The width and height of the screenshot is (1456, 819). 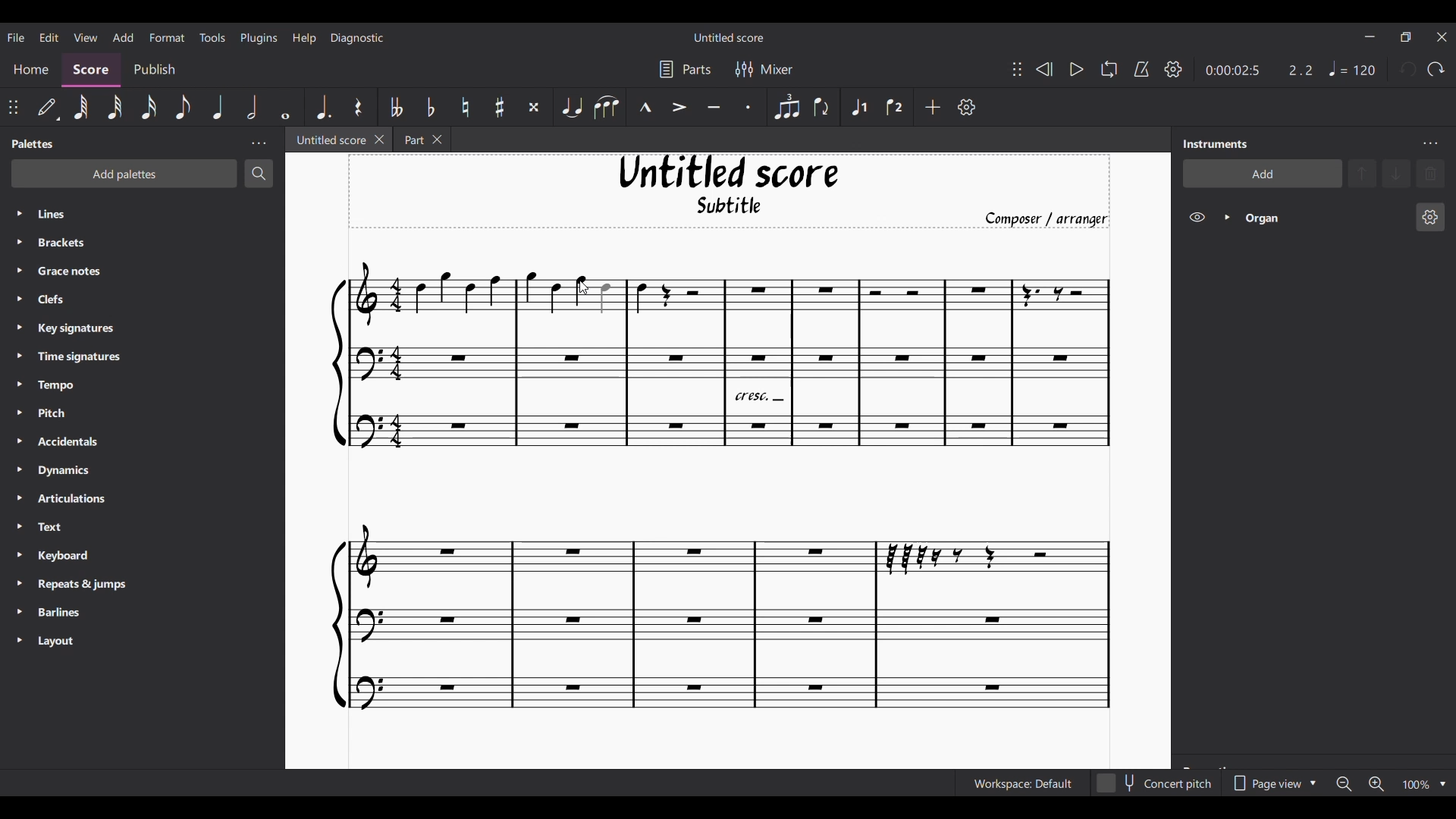 What do you see at coordinates (305, 38) in the screenshot?
I see `Help menu` at bounding box center [305, 38].